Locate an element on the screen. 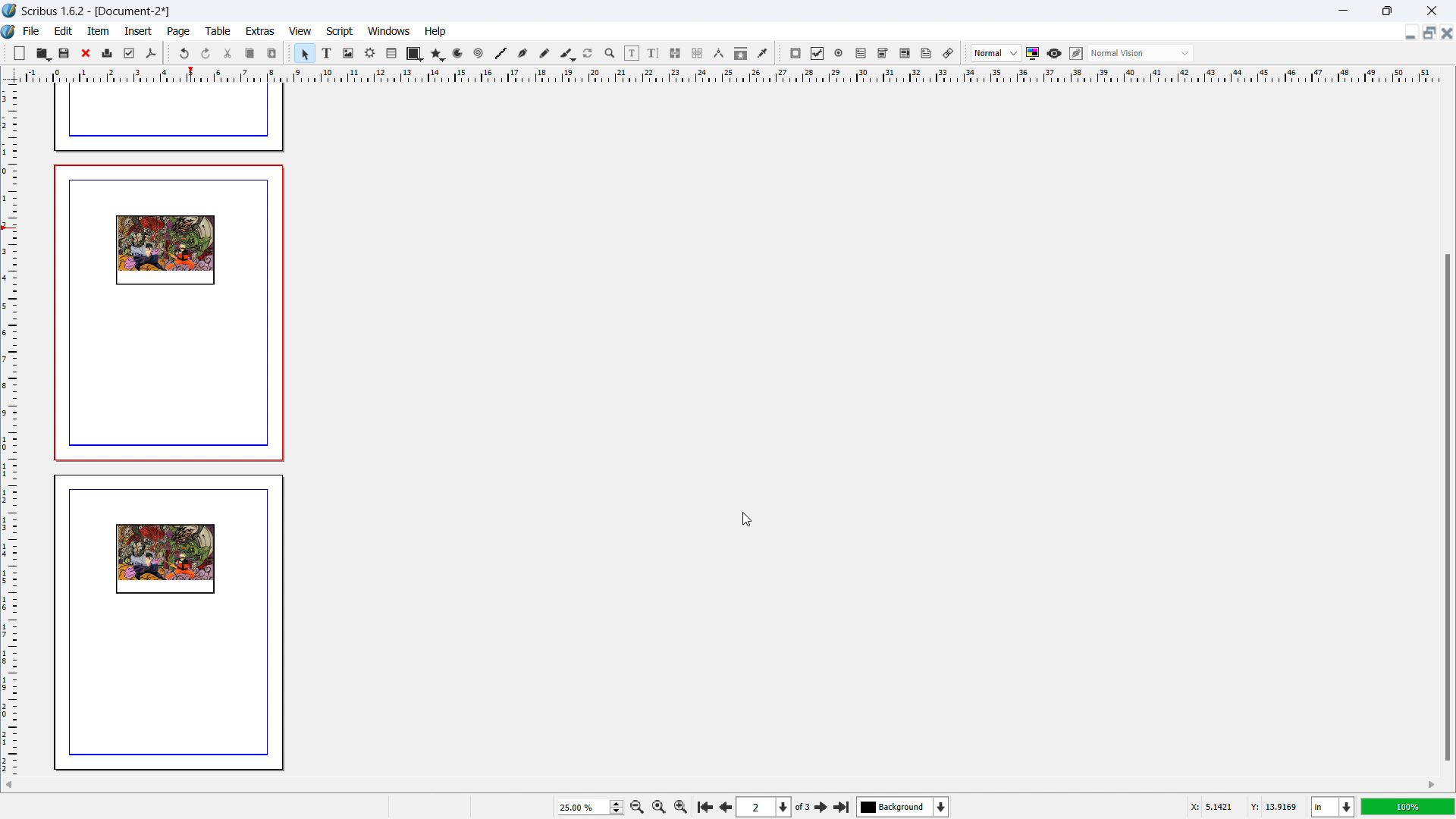 The height and width of the screenshot is (819, 1456). horizontal ruler is located at coordinates (730, 74).